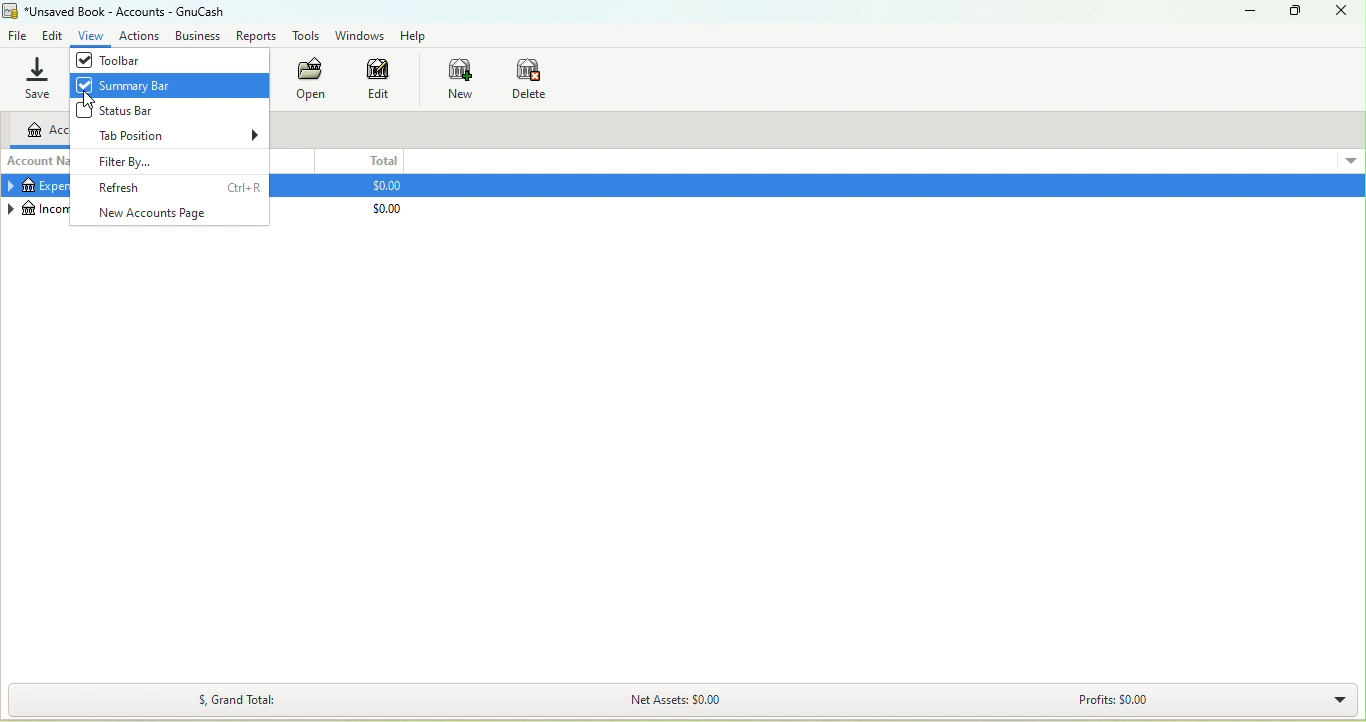 Image resolution: width=1366 pixels, height=722 pixels. I want to click on Minimize, so click(1248, 13).